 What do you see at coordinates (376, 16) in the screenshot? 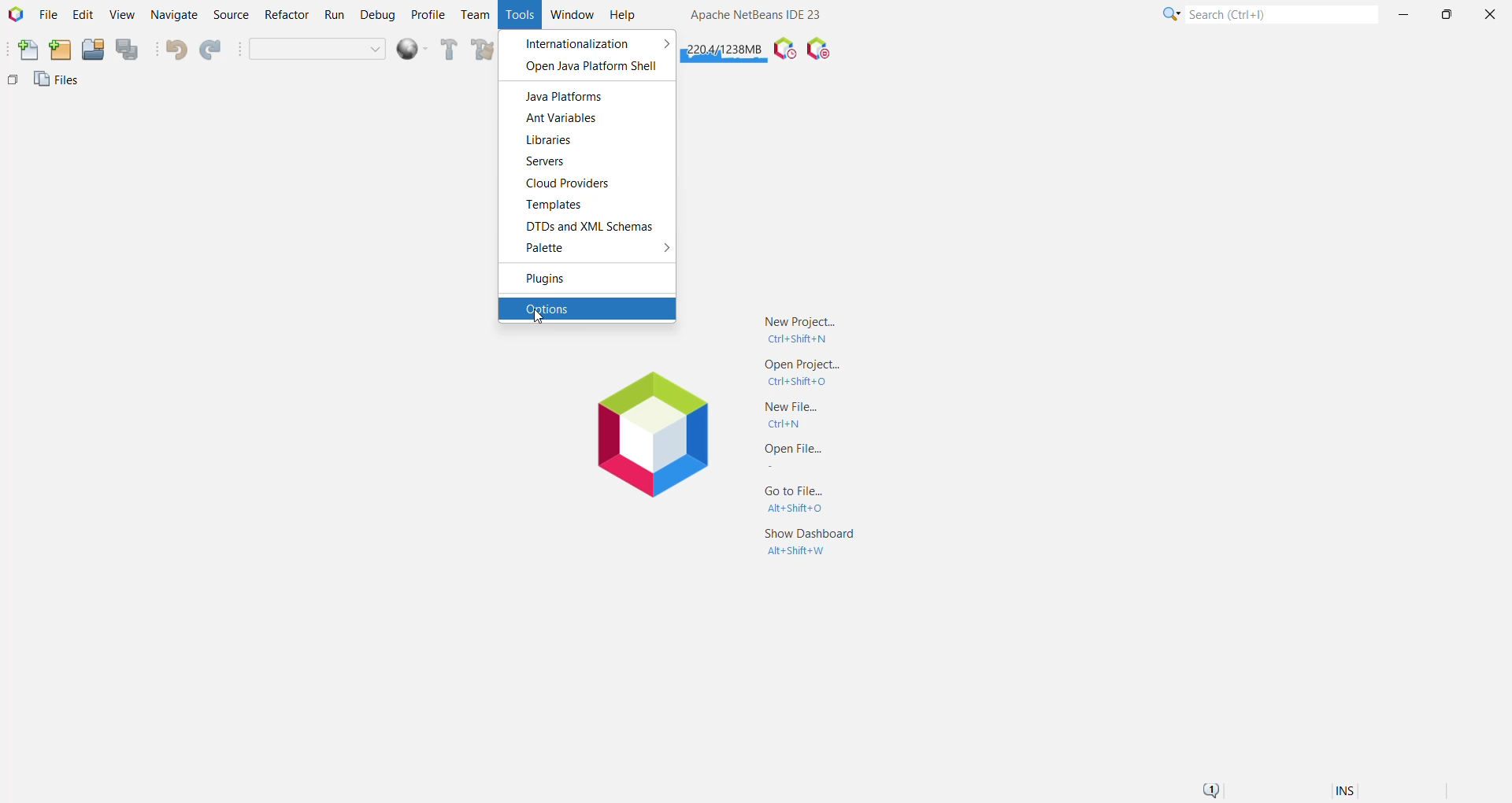
I see `Debug ` at bounding box center [376, 16].